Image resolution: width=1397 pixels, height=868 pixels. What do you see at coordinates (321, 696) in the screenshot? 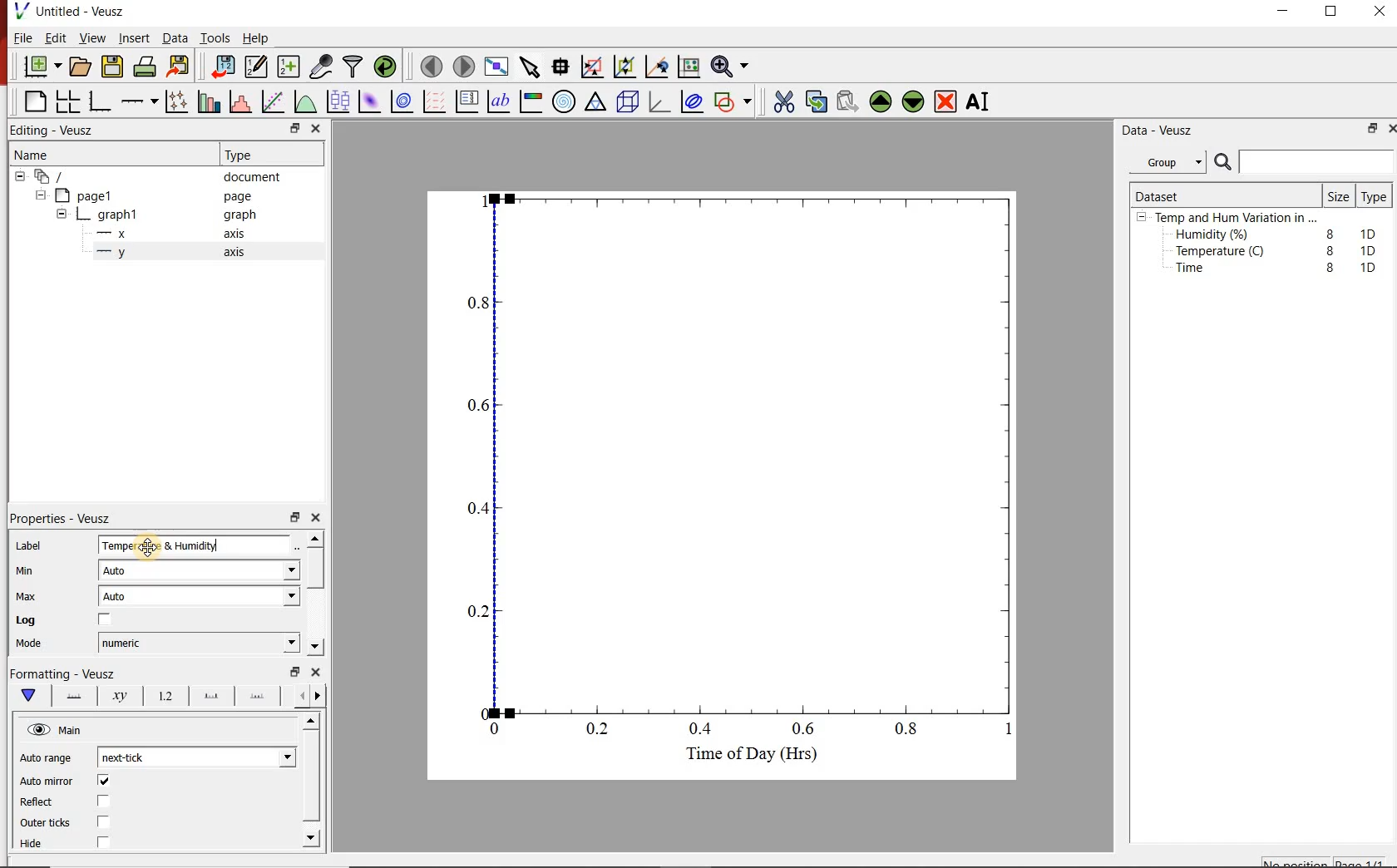
I see `go forward` at bounding box center [321, 696].